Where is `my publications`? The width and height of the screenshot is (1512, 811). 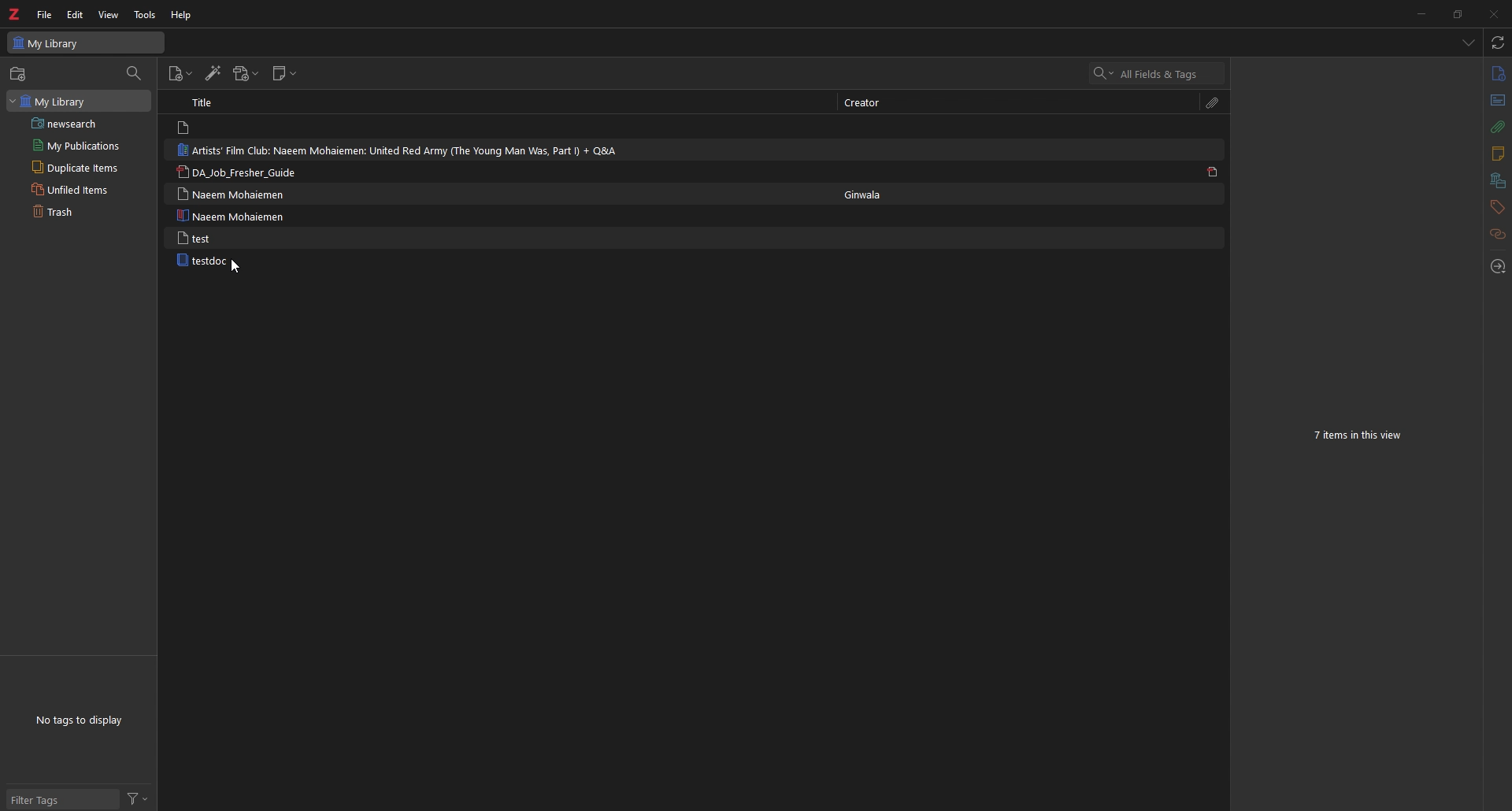
my publications is located at coordinates (77, 145).